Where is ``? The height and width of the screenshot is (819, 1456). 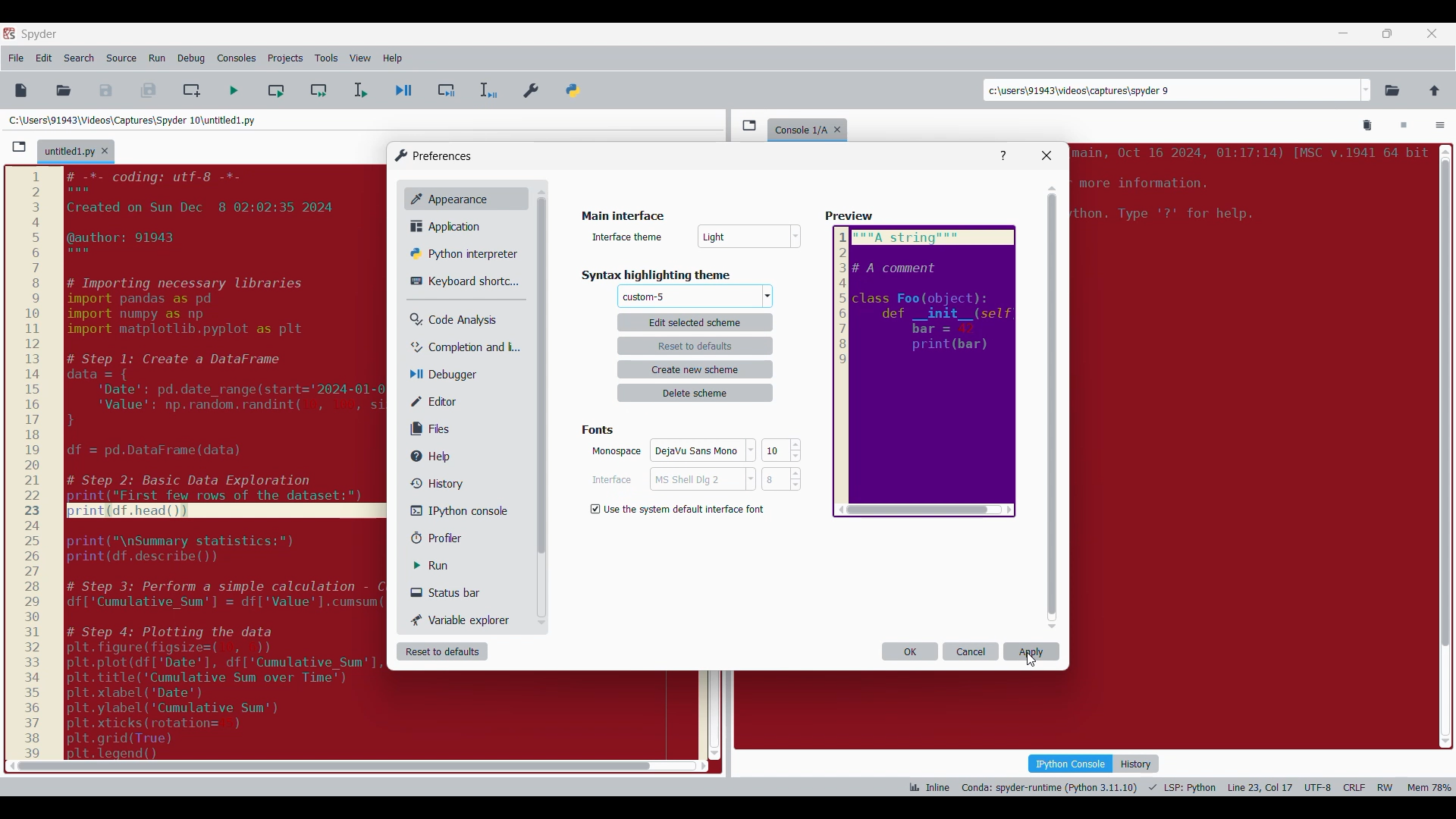
 is located at coordinates (540, 380).